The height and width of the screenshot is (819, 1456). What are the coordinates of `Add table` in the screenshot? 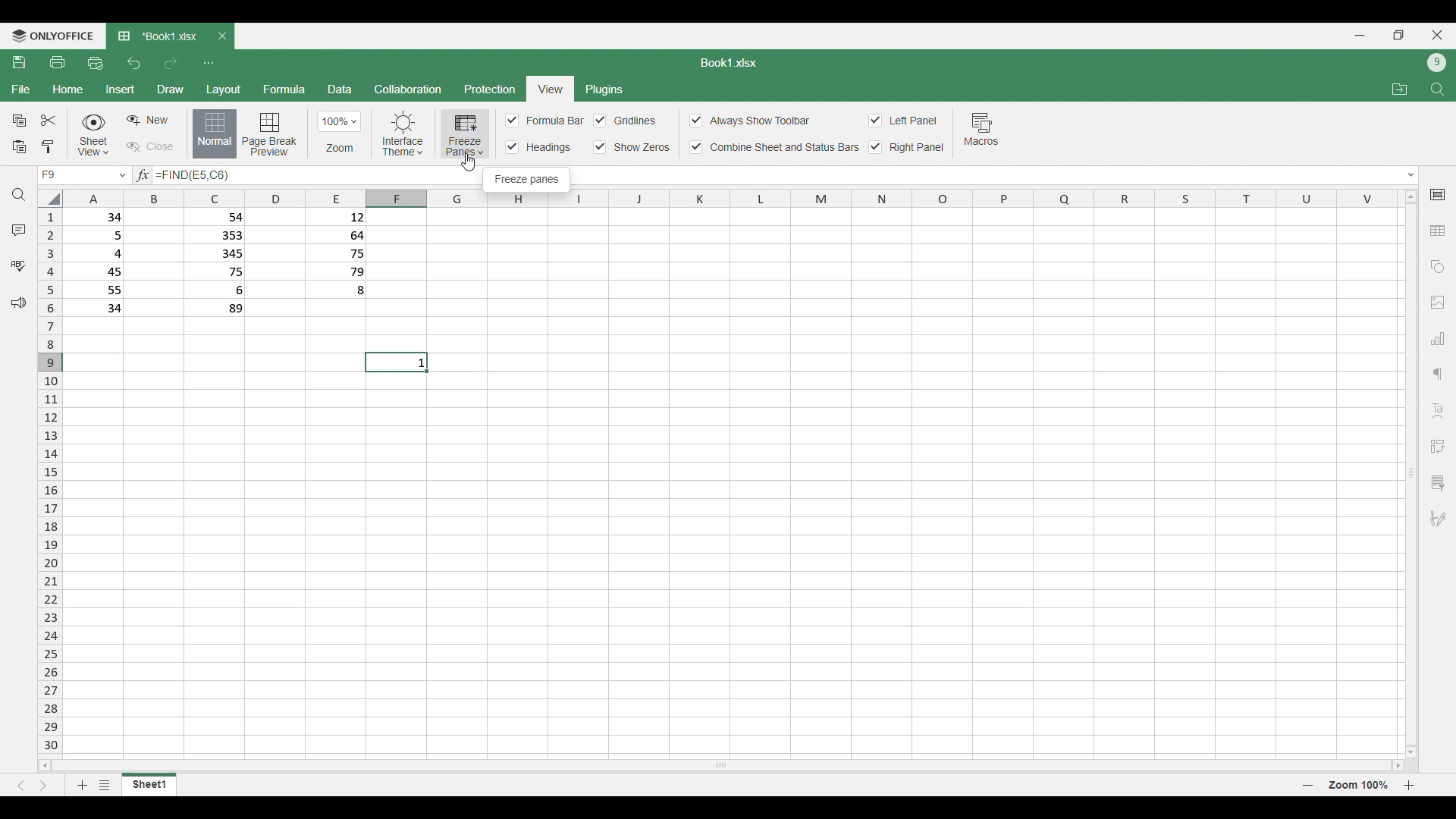 It's located at (1438, 231).